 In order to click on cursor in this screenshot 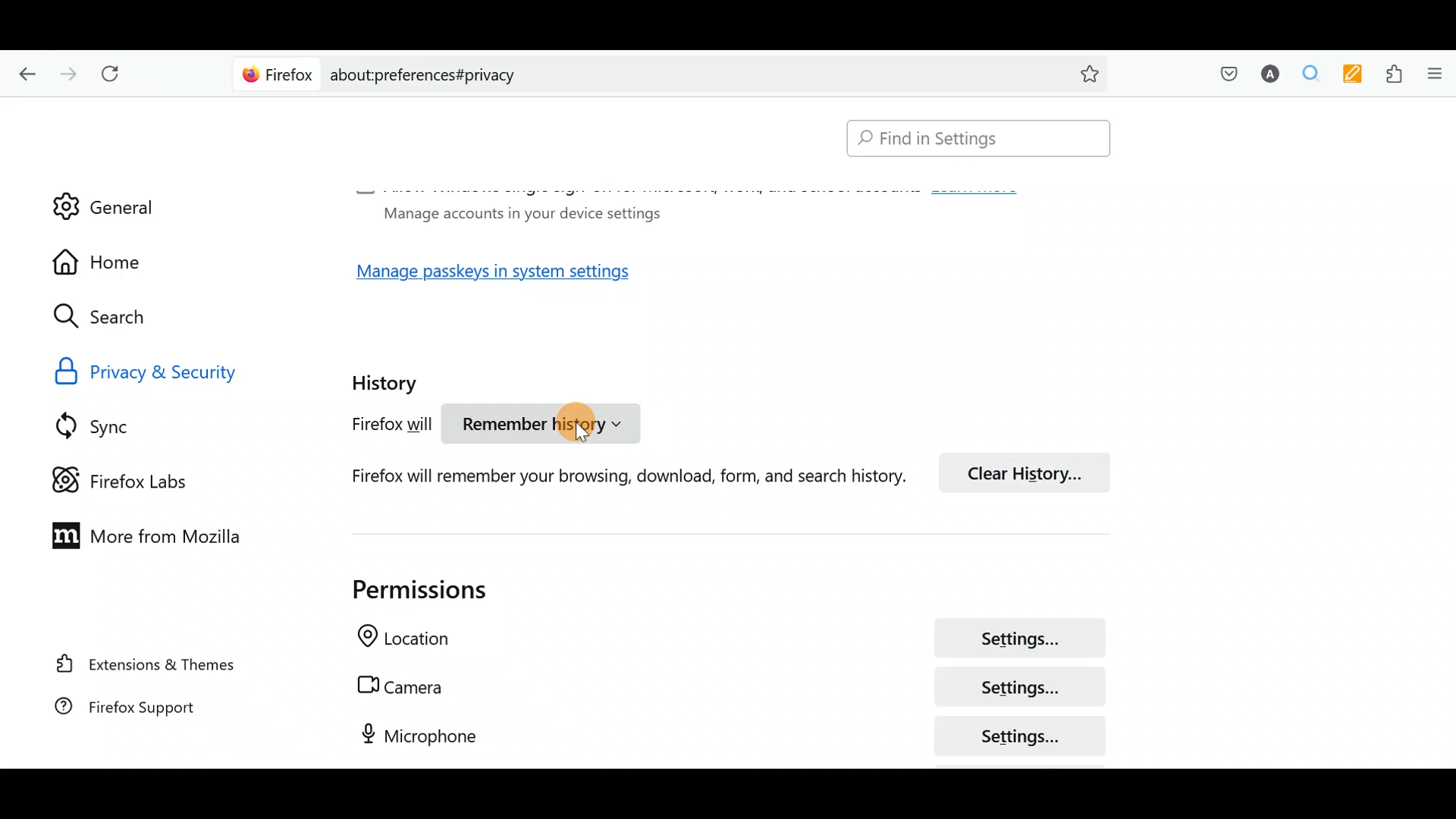, I will do `click(579, 431)`.